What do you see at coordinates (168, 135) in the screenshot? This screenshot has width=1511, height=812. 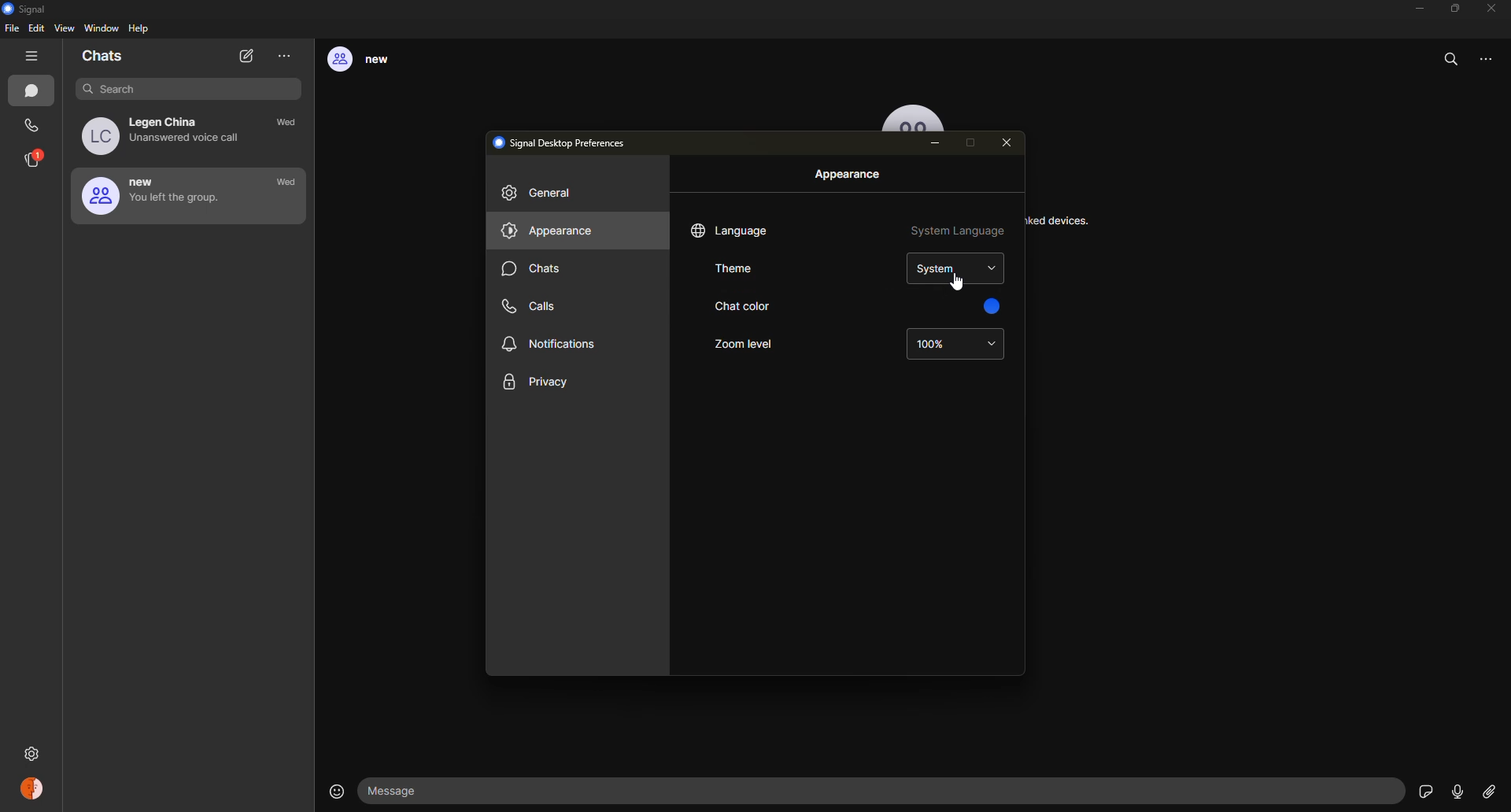 I see `Legen China` at bounding box center [168, 135].